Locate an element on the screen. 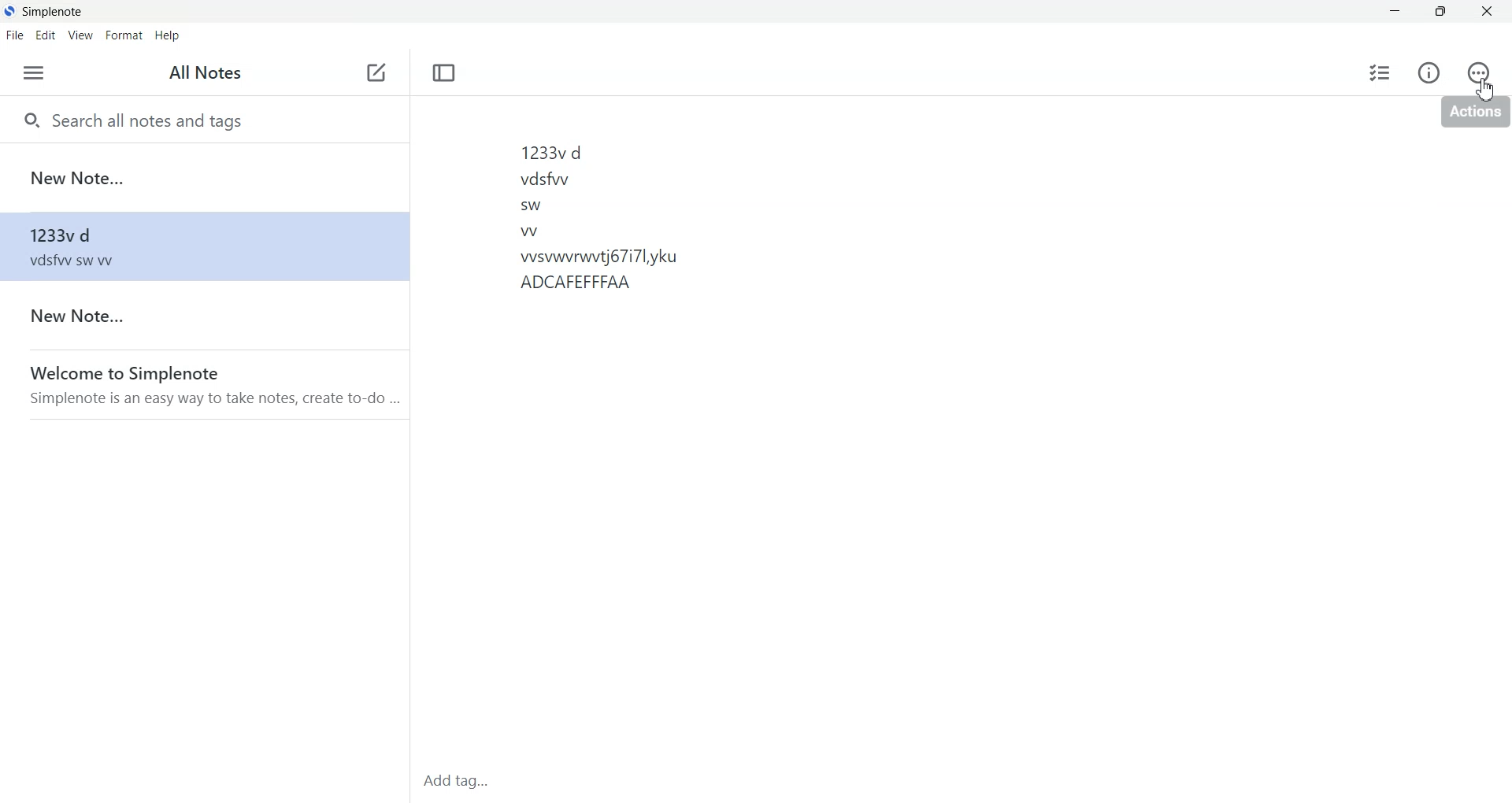 This screenshot has height=803, width=1512. Info is located at coordinates (1430, 74).